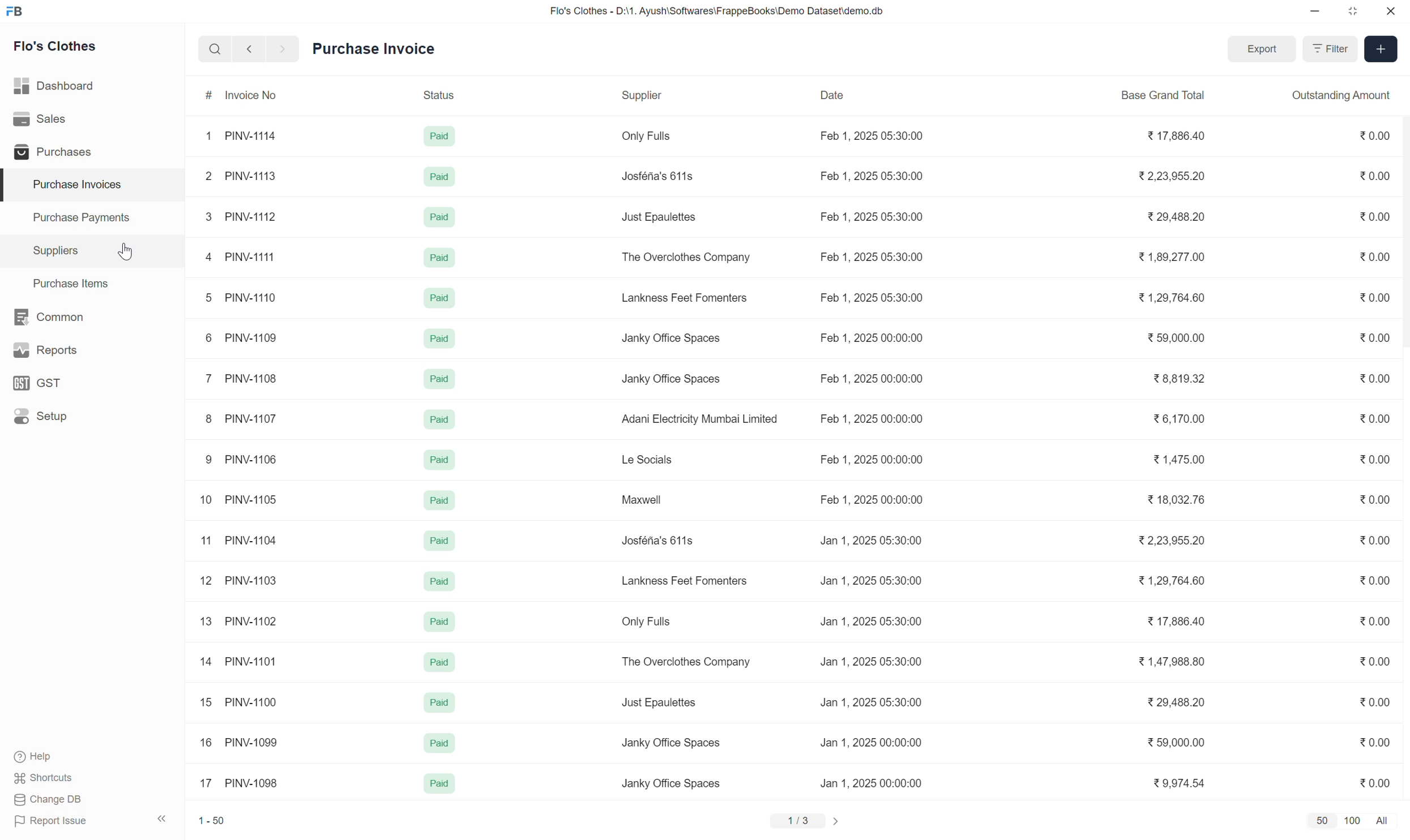  Describe the element at coordinates (439, 501) in the screenshot. I see `Paid` at that location.